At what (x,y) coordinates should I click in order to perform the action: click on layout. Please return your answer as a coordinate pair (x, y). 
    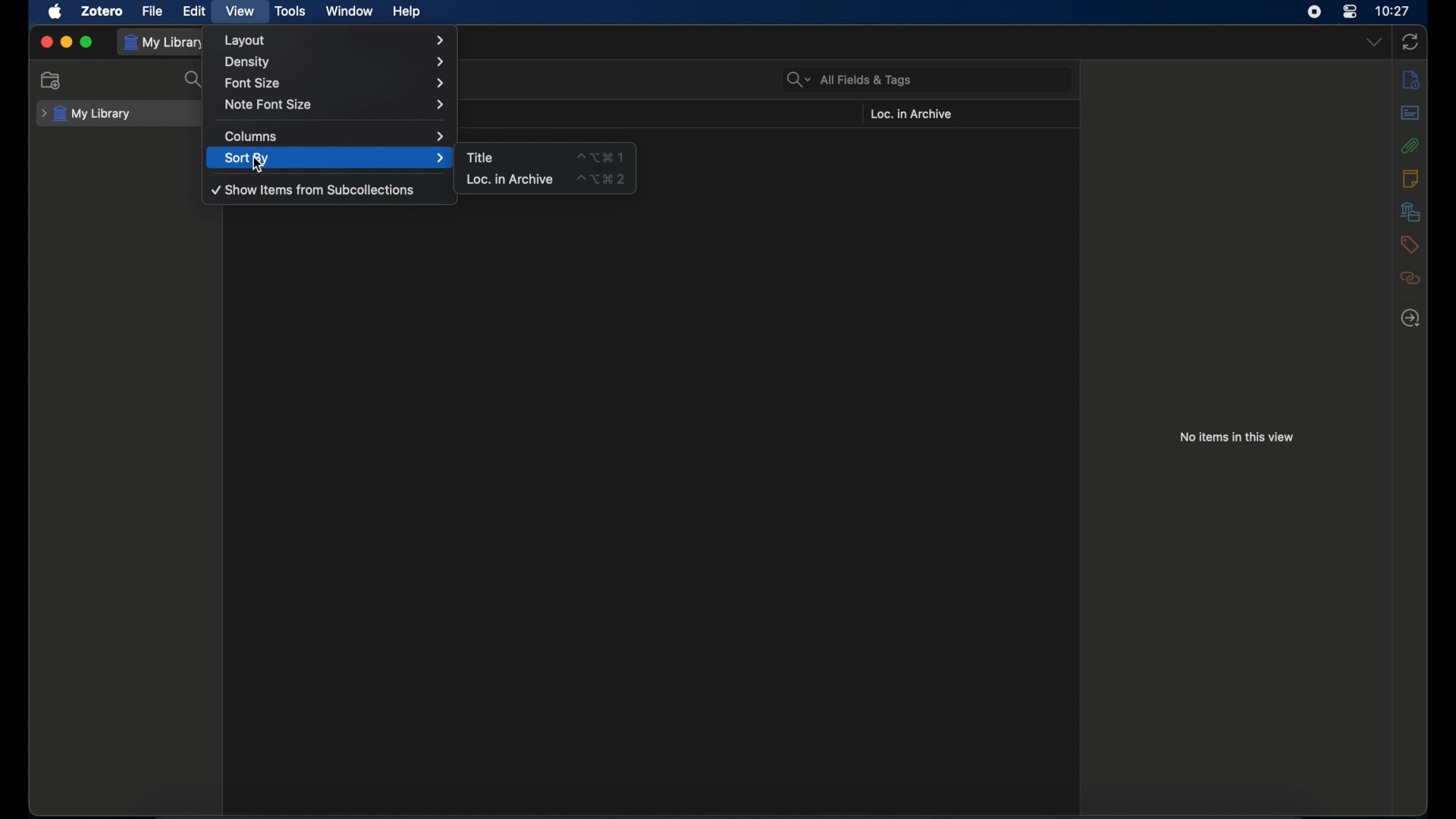
    Looking at the image, I should click on (335, 40).